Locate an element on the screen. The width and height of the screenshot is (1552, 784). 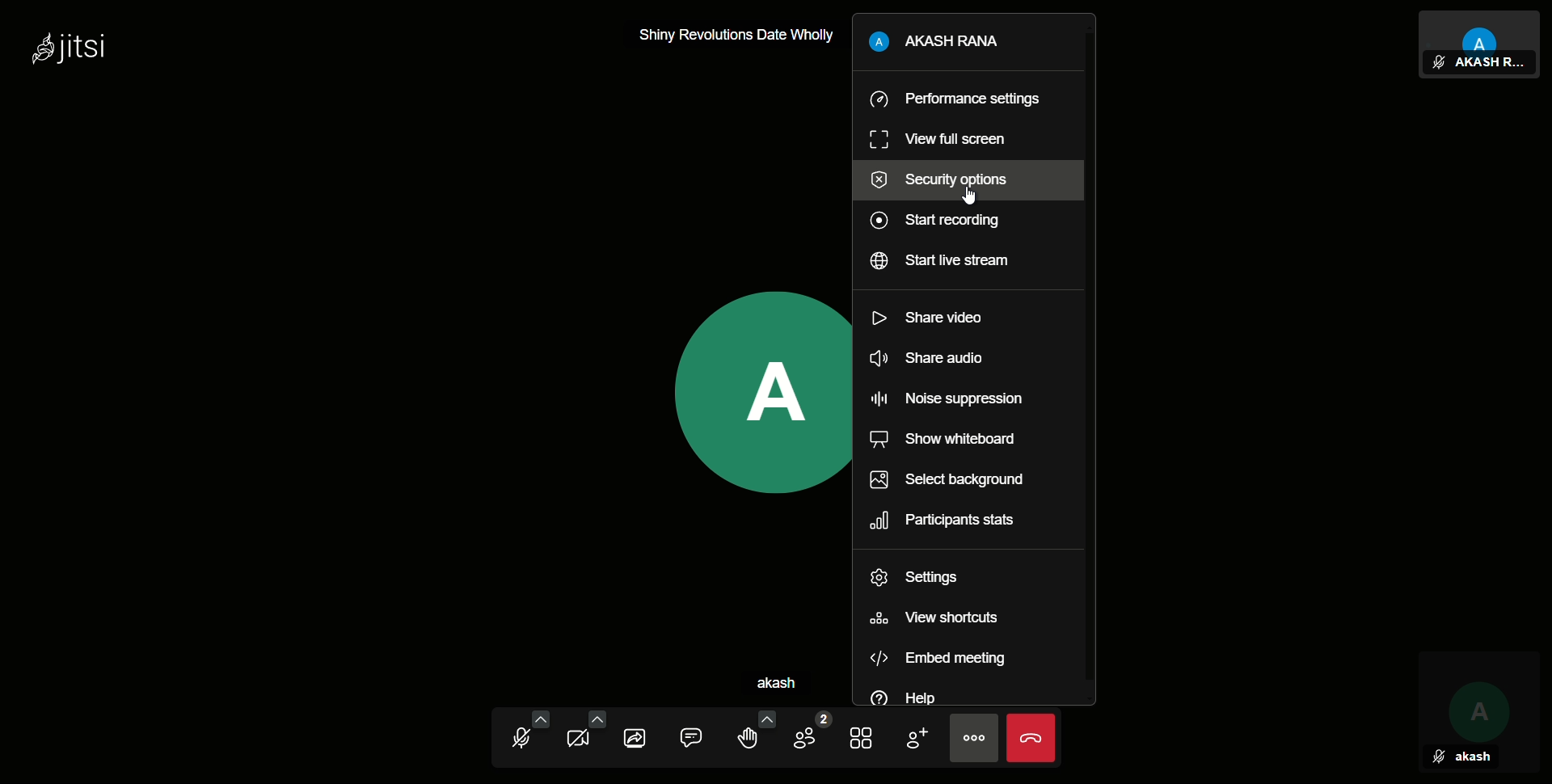
view shortcuts is located at coordinates (933, 618).